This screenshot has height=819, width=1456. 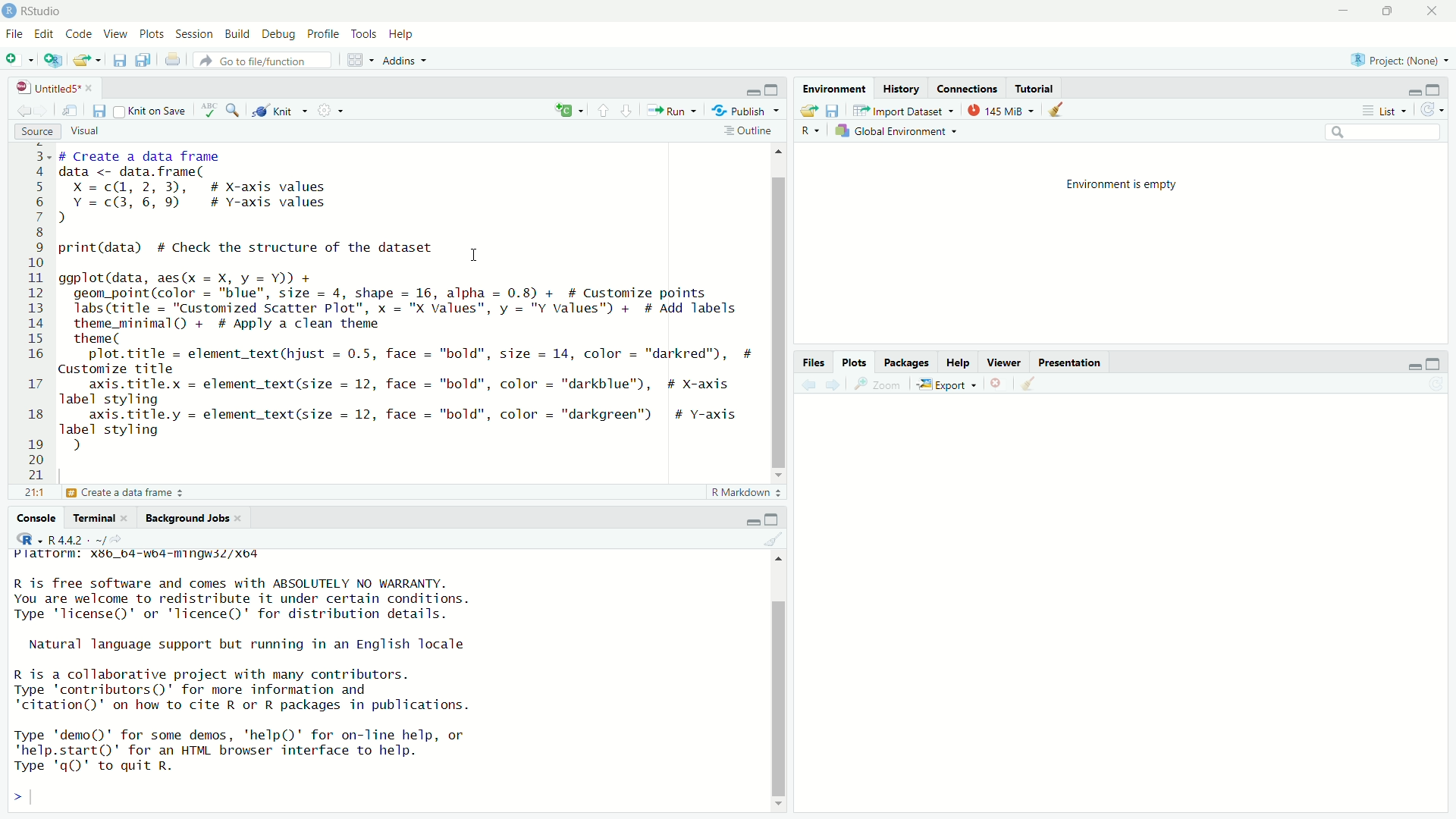 What do you see at coordinates (17, 797) in the screenshot?
I see `> ` at bounding box center [17, 797].